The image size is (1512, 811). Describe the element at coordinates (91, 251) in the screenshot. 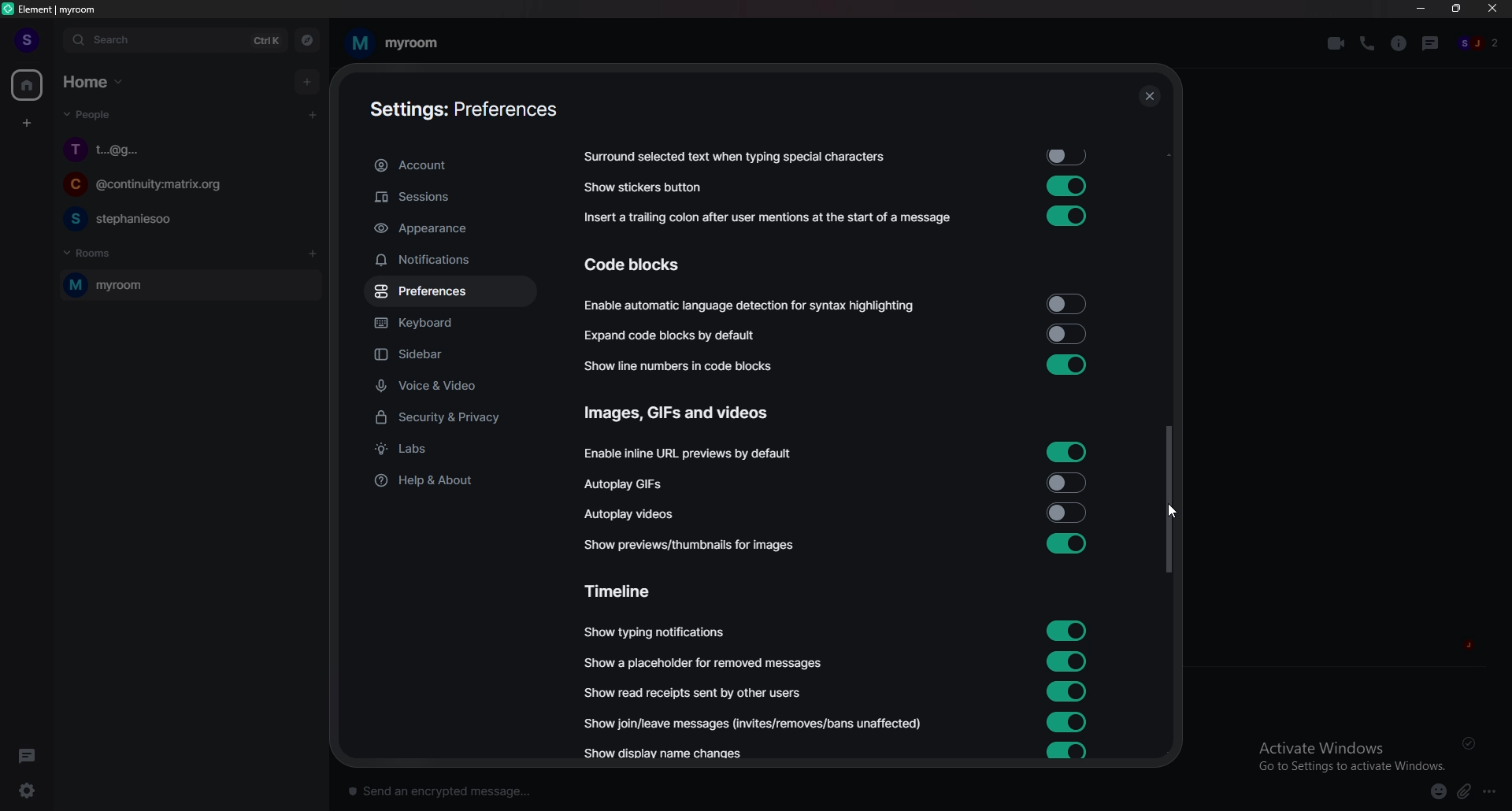

I see `Rooms` at that location.